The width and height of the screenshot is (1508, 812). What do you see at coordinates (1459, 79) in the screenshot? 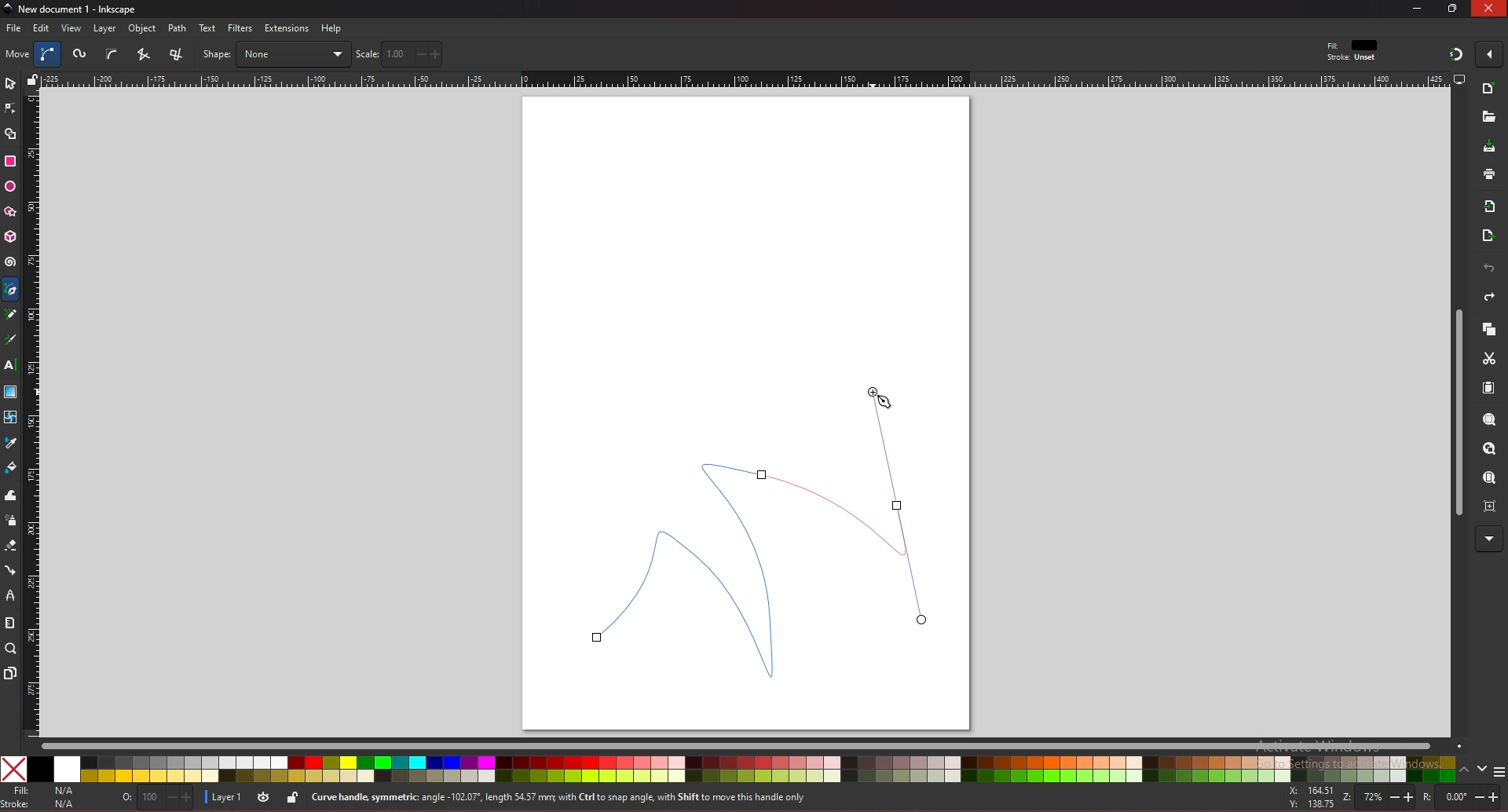
I see `display options` at bounding box center [1459, 79].